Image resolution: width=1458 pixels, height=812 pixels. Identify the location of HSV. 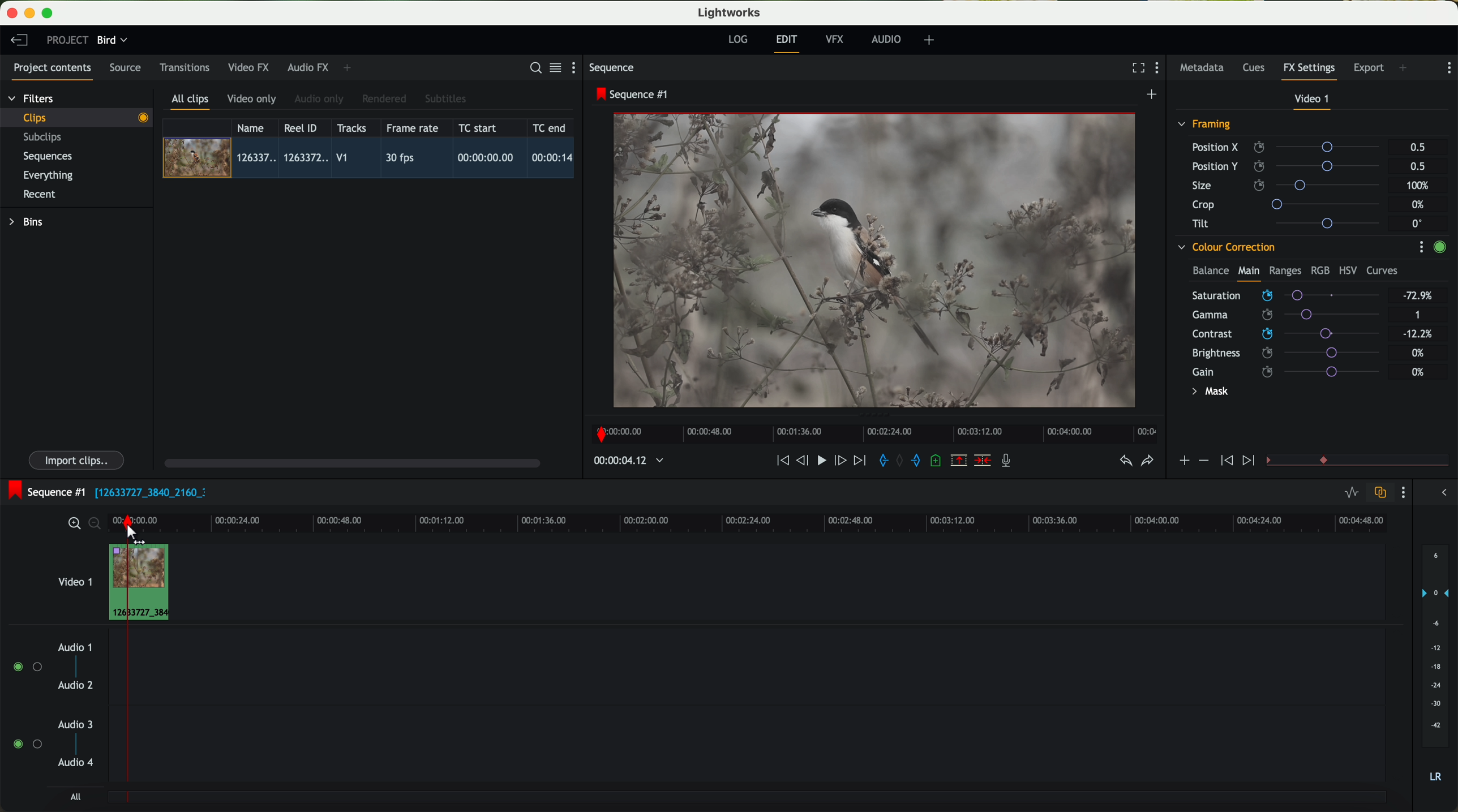
(1347, 270).